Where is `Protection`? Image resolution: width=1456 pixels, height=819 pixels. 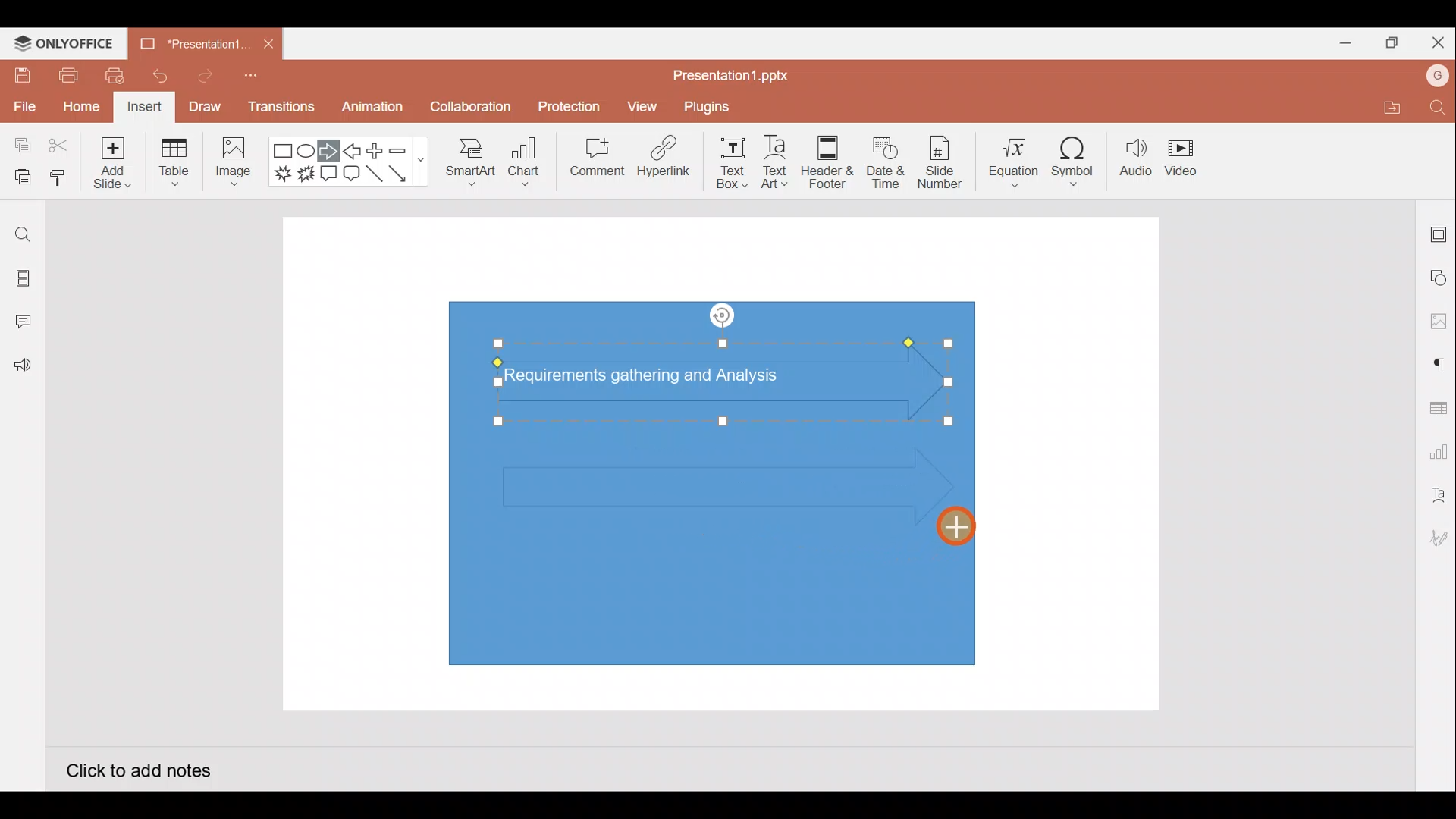
Protection is located at coordinates (565, 107).